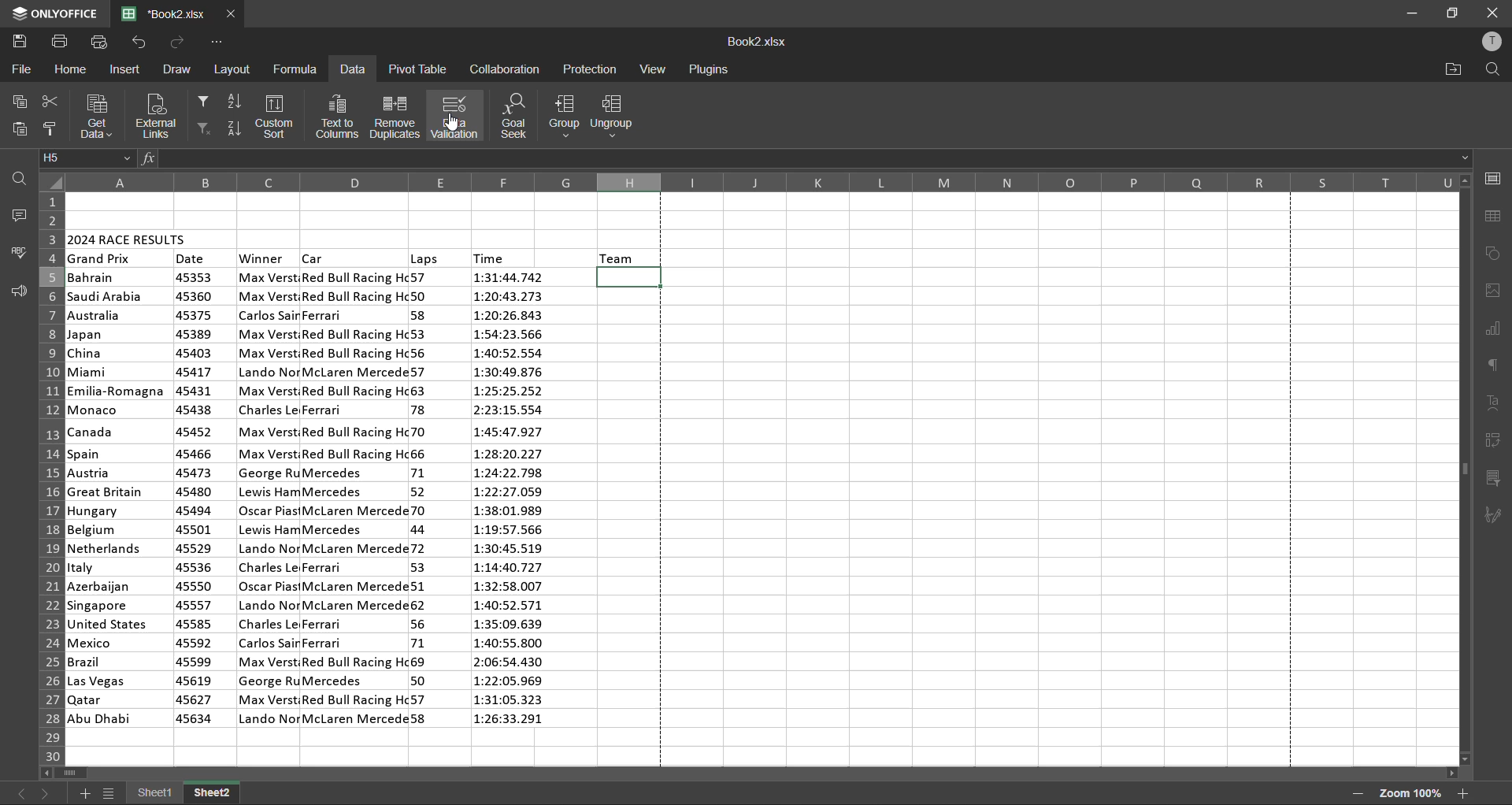  Describe the element at coordinates (20, 792) in the screenshot. I see `previous` at that location.